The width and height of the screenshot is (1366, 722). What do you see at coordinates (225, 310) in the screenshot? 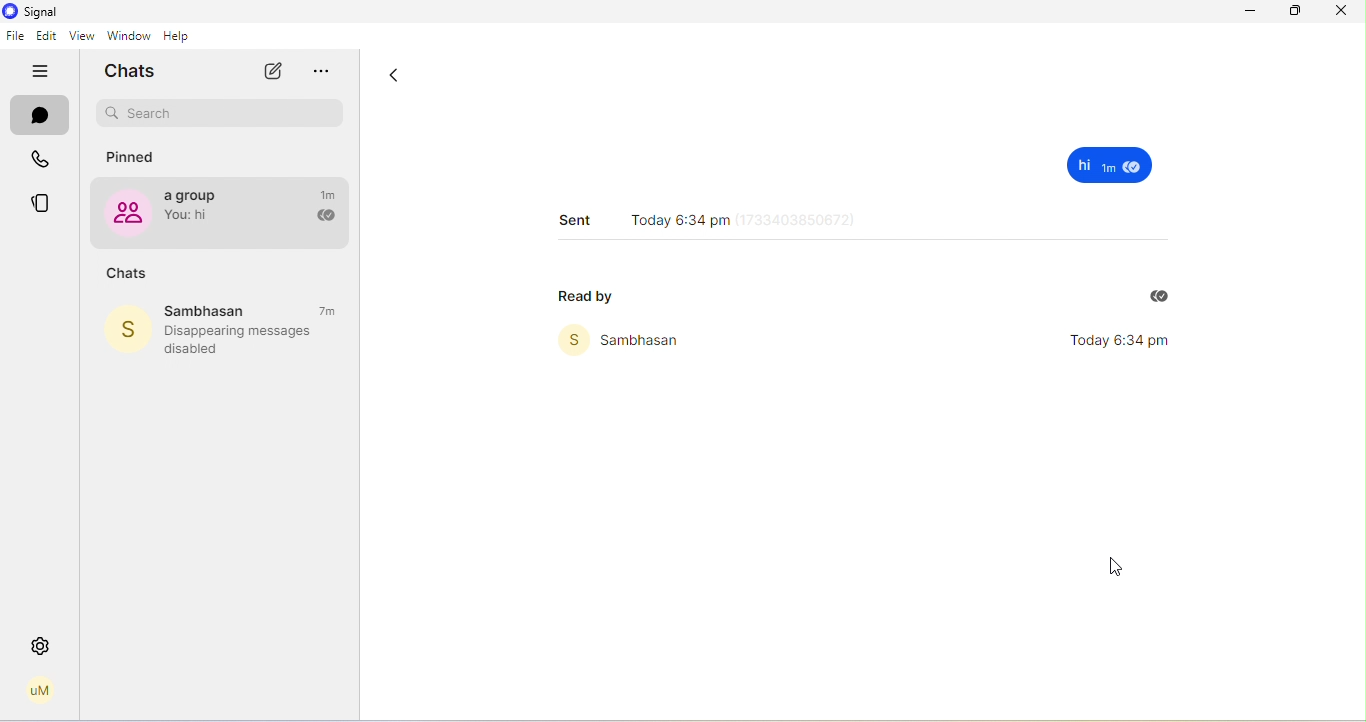
I see `chat with Sambhasan` at bounding box center [225, 310].